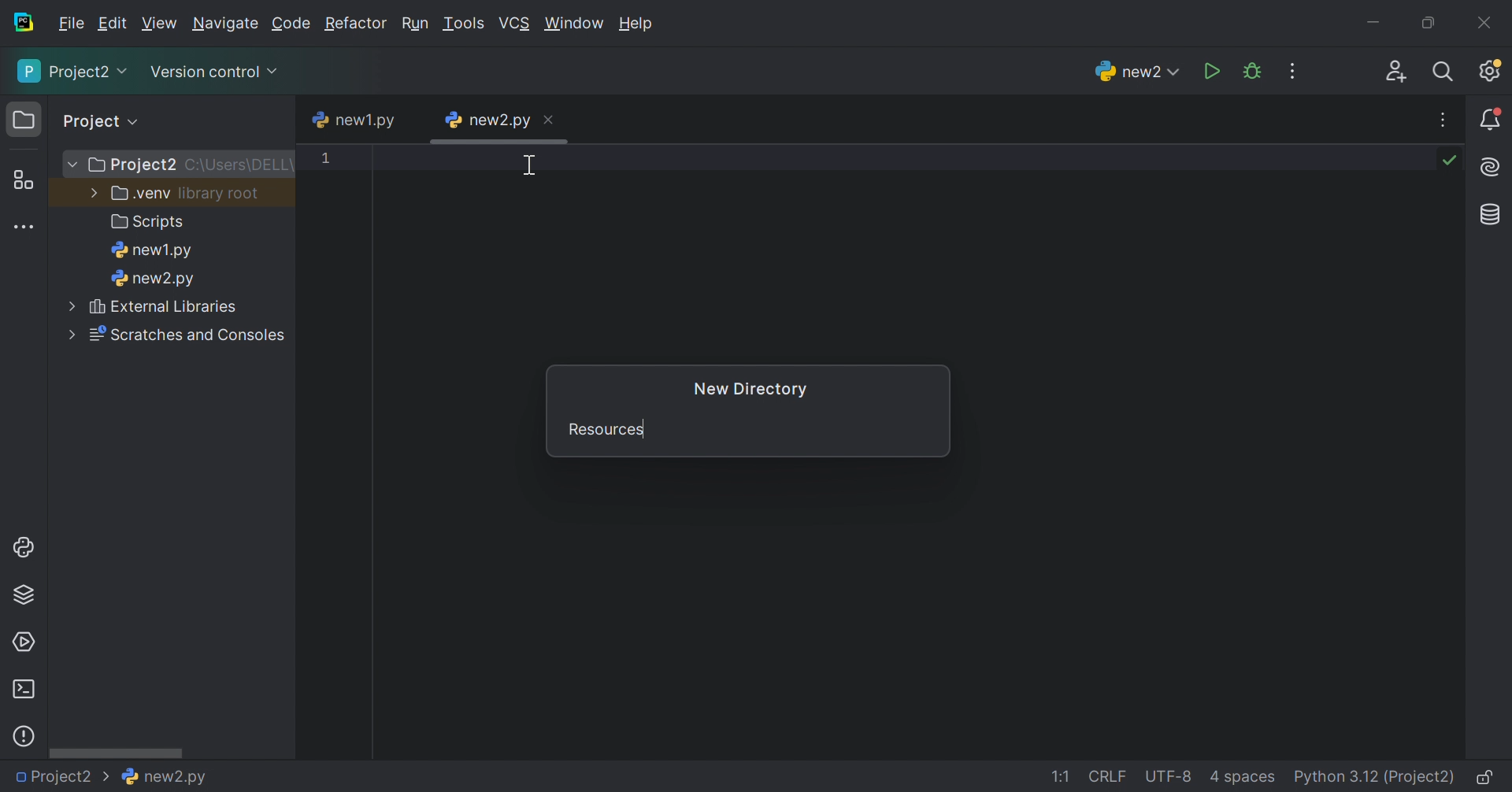  I want to click on Python console, so click(21, 547).